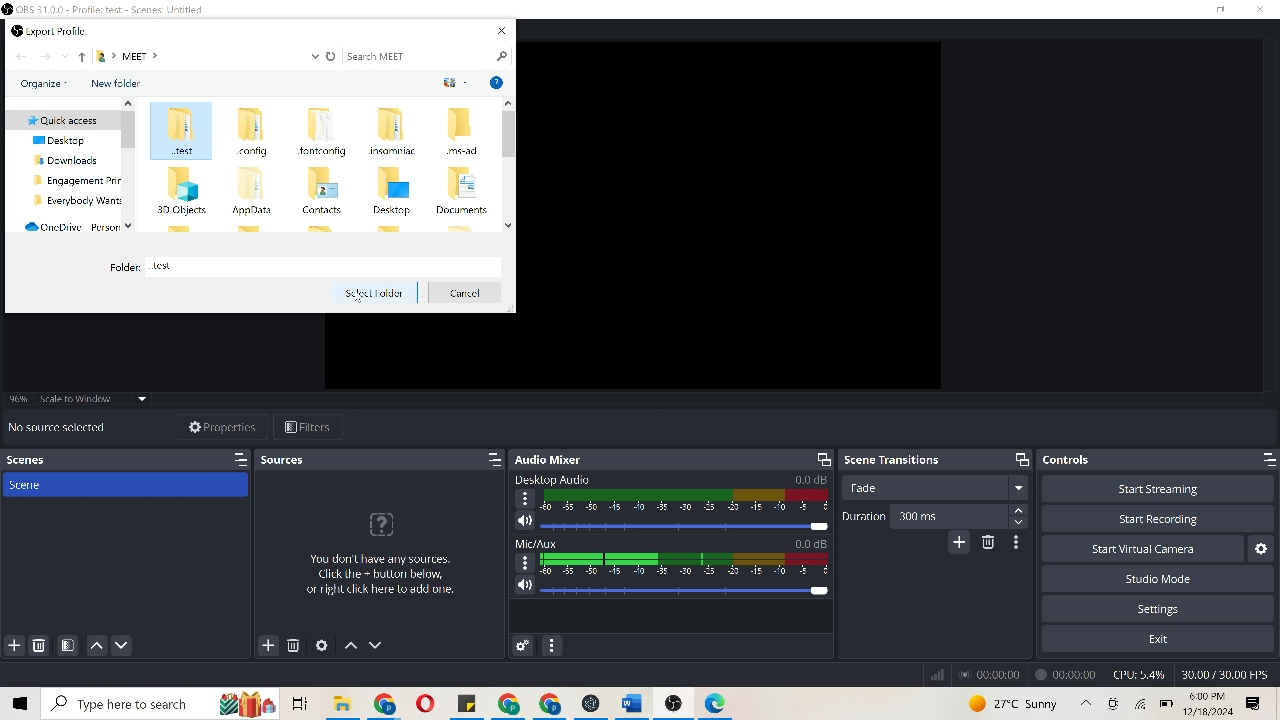  Describe the element at coordinates (216, 426) in the screenshot. I see `properties` at that location.